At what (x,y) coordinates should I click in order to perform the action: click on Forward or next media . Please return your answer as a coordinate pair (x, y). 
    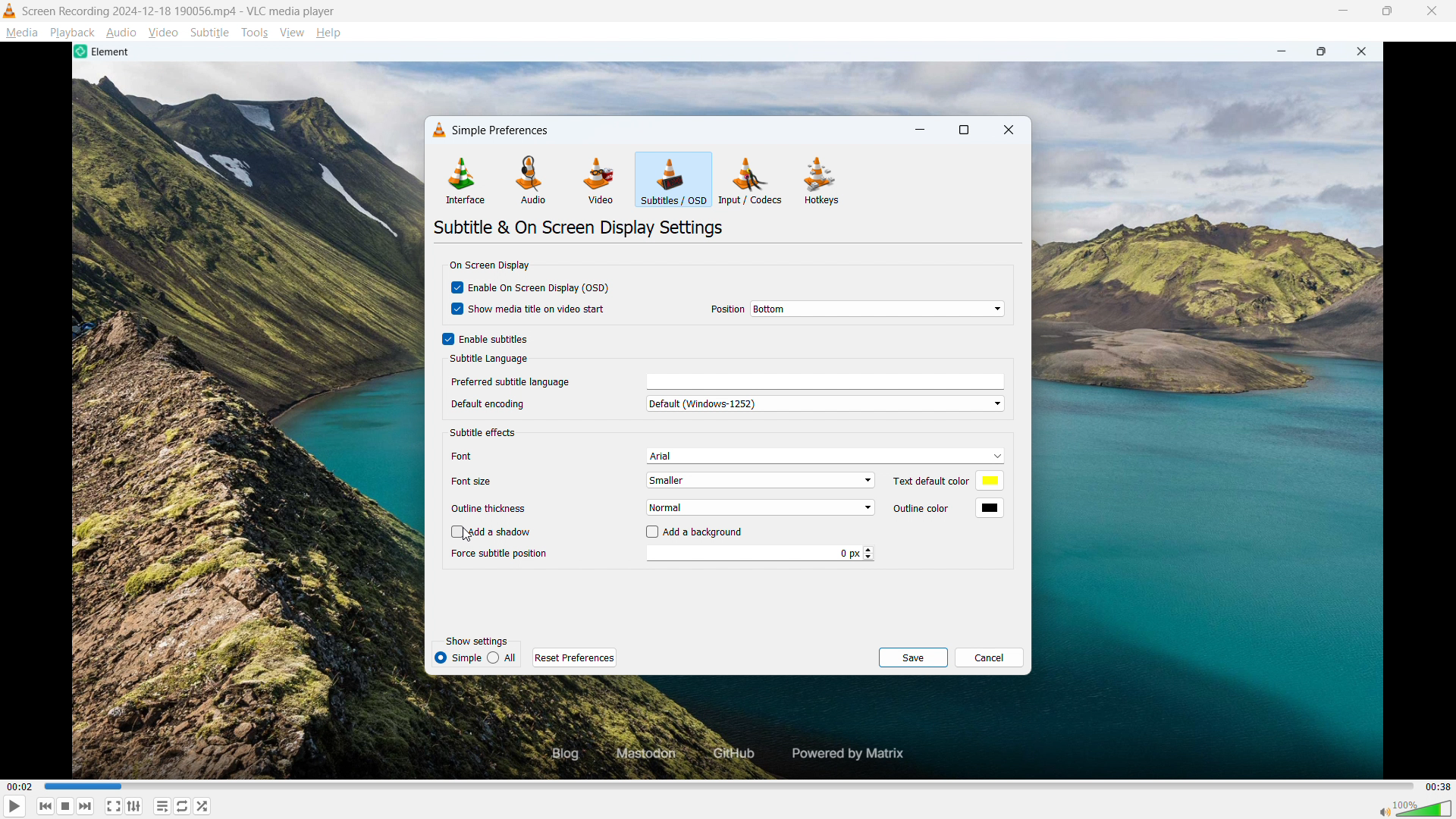
    Looking at the image, I should click on (86, 807).